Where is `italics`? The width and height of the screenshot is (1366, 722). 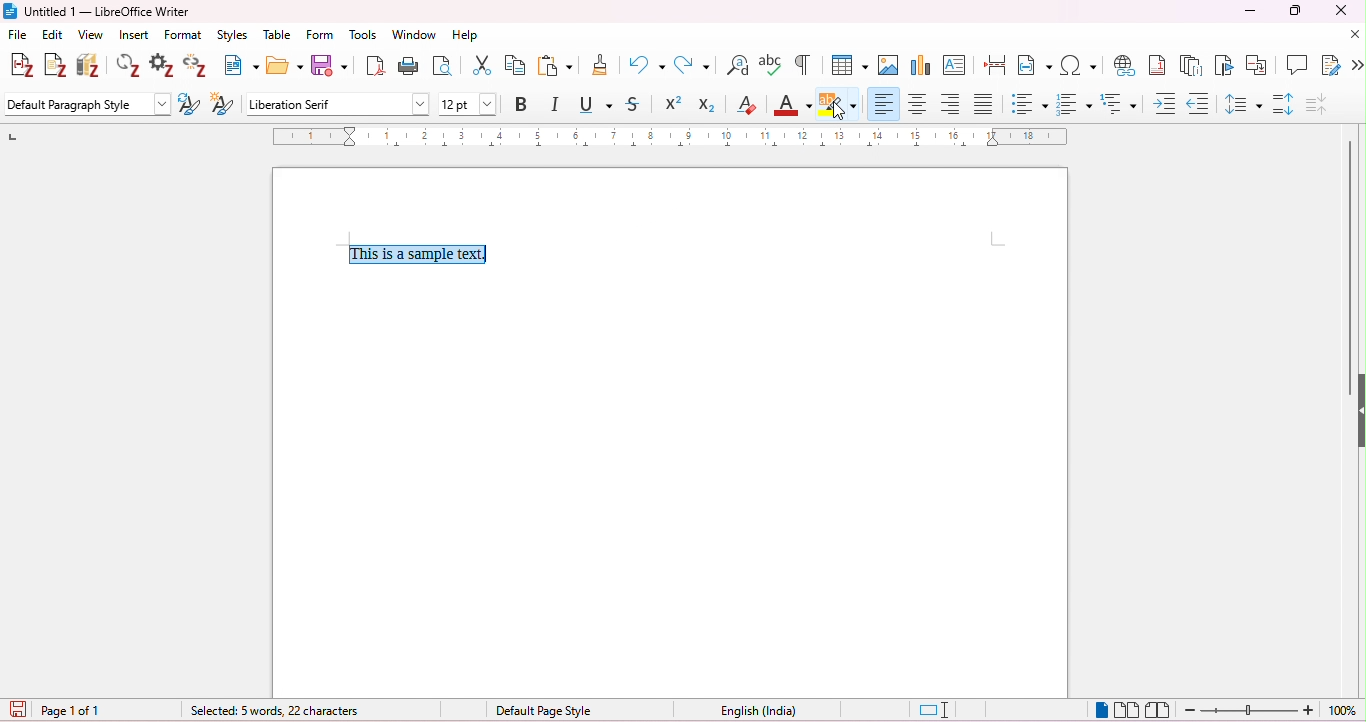 italics is located at coordinates (554, 104).